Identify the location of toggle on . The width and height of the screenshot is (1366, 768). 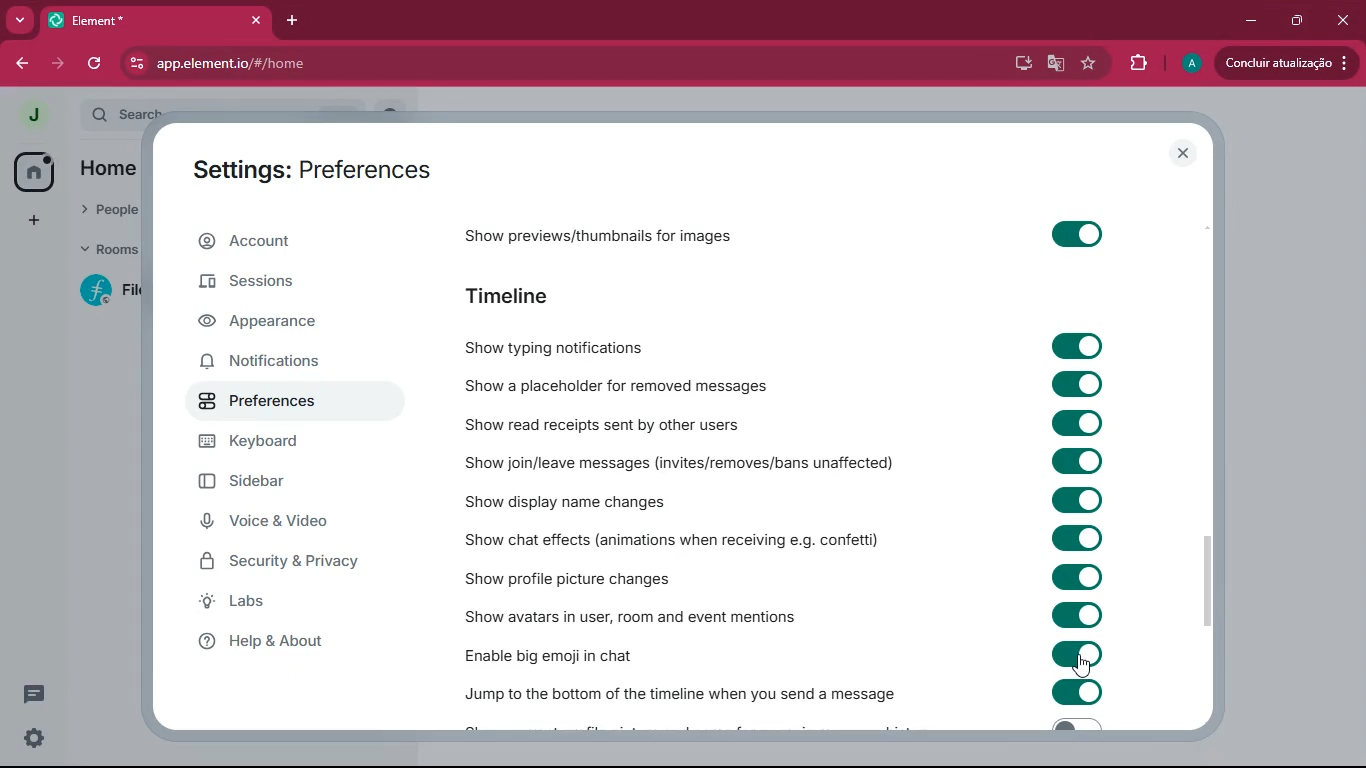
(1078, 613).